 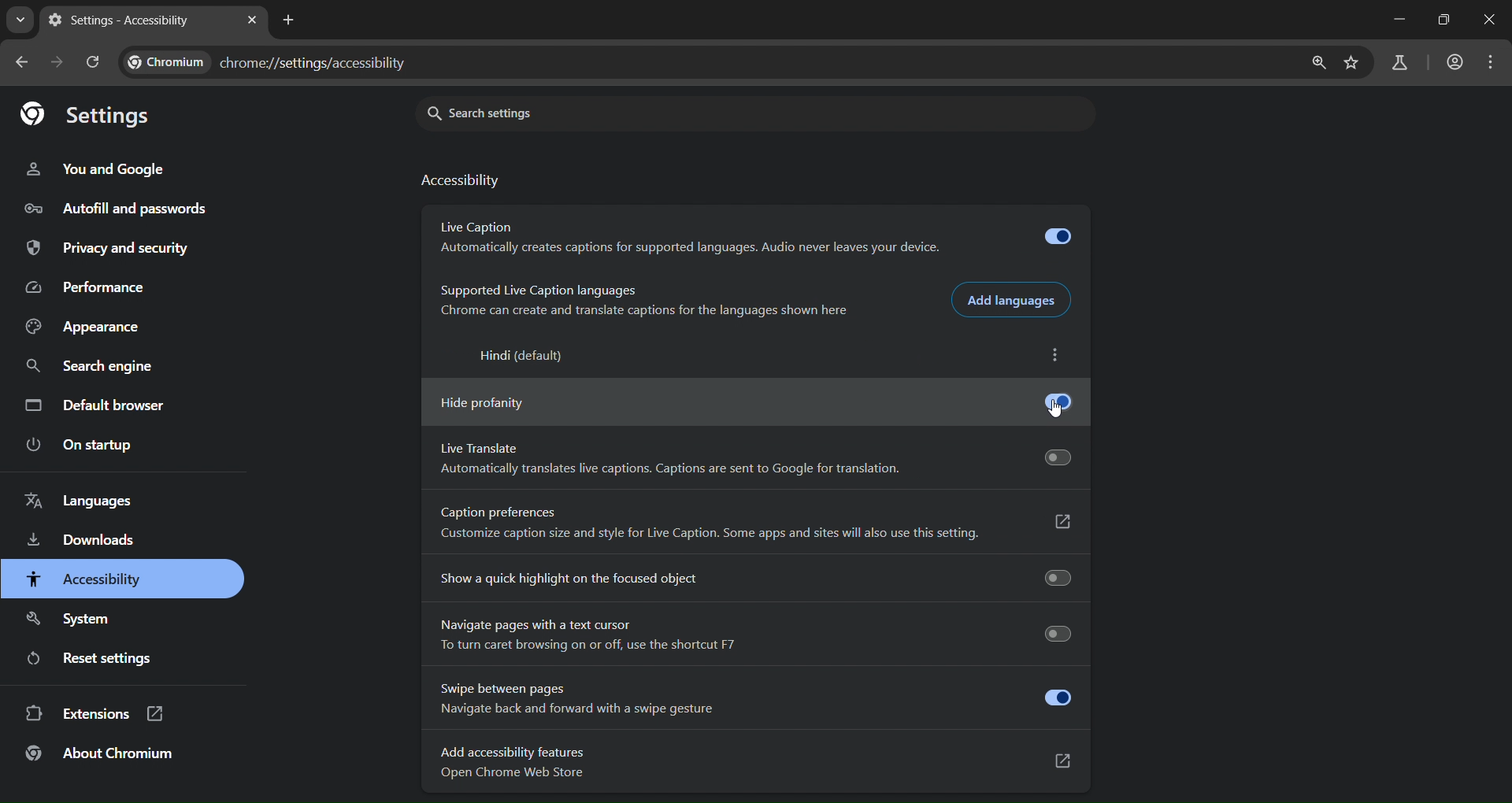 What do you see at coordinates (89, 287) in the screenshot?
I see `performance` at bounding box center [89, 287].